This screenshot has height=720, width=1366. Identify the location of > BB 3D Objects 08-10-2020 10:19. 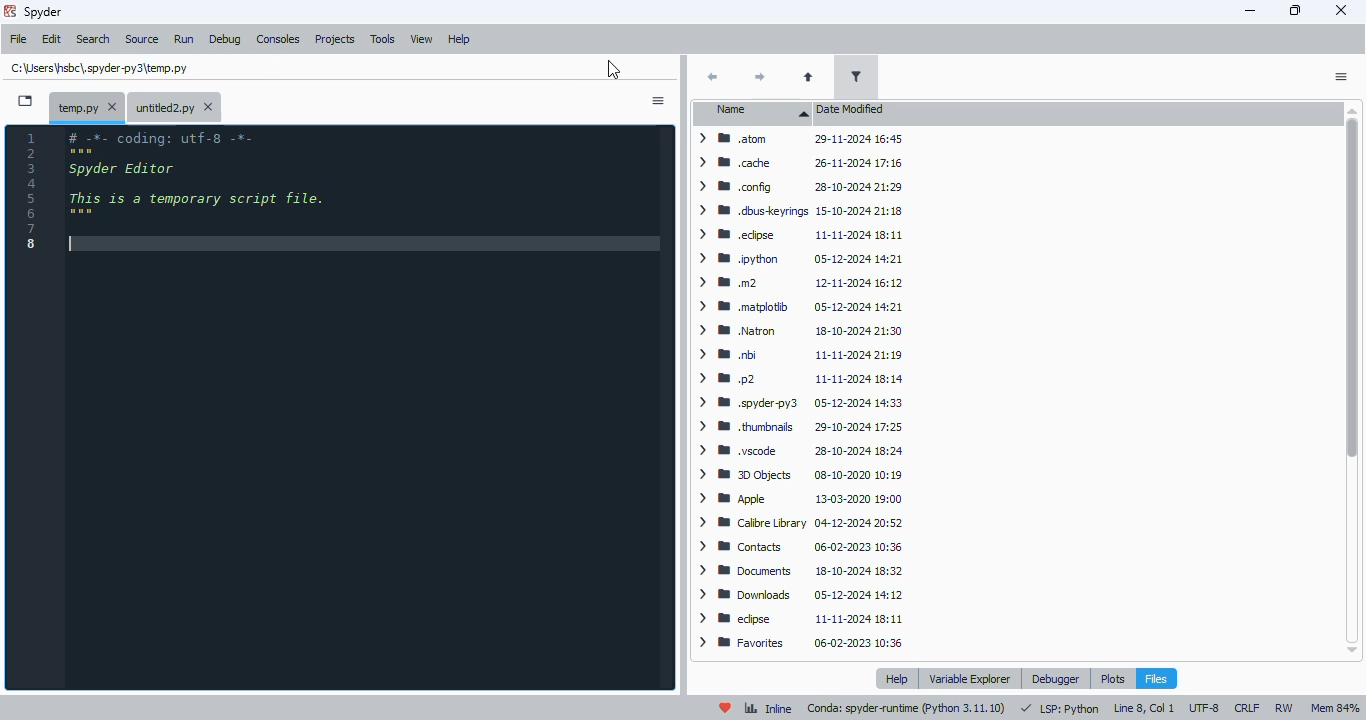
(796, 473).